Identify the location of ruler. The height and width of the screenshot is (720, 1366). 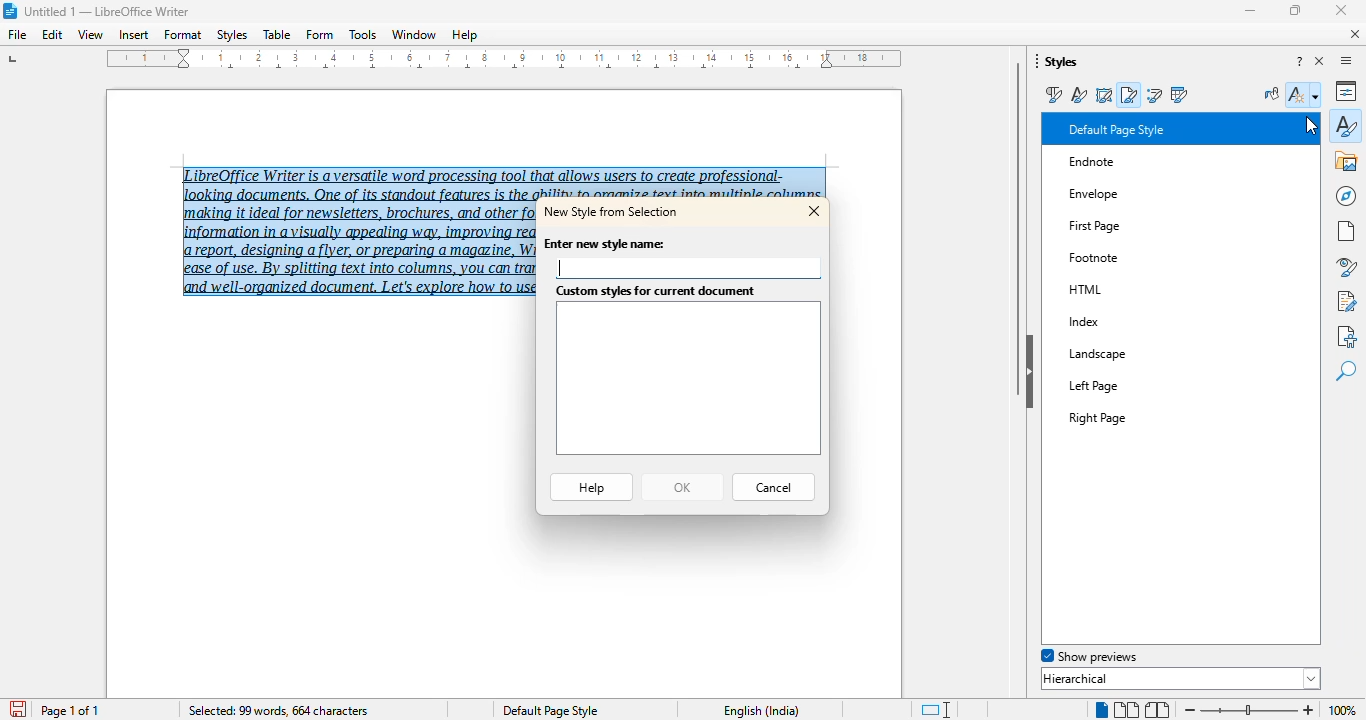
(508, 62).